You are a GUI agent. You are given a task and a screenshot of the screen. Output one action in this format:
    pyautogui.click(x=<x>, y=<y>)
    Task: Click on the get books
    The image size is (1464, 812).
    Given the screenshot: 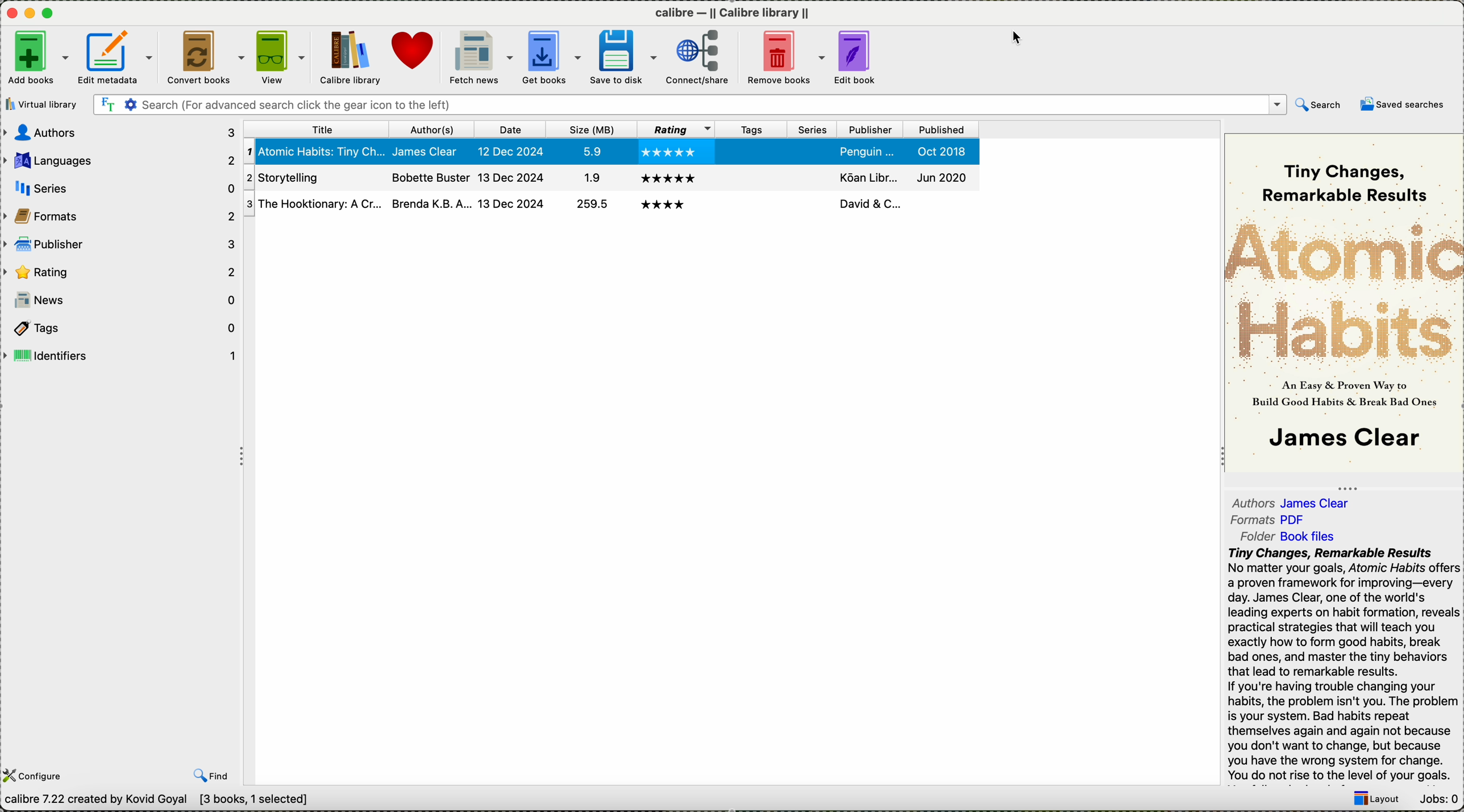 What is the action you would take?
    pyautogui.click(x=552, y=57)
    